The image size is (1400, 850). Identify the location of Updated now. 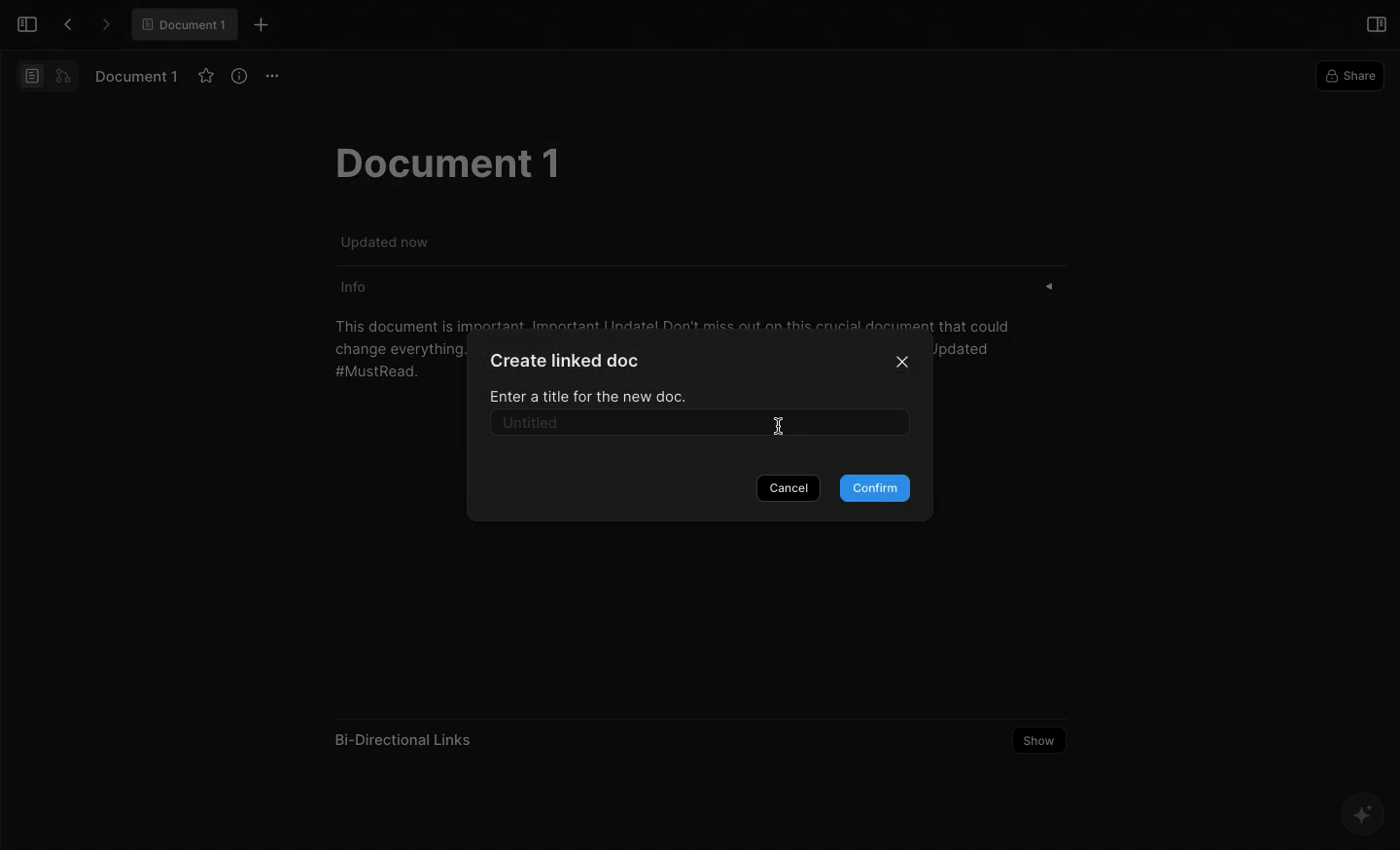
(388, 241).